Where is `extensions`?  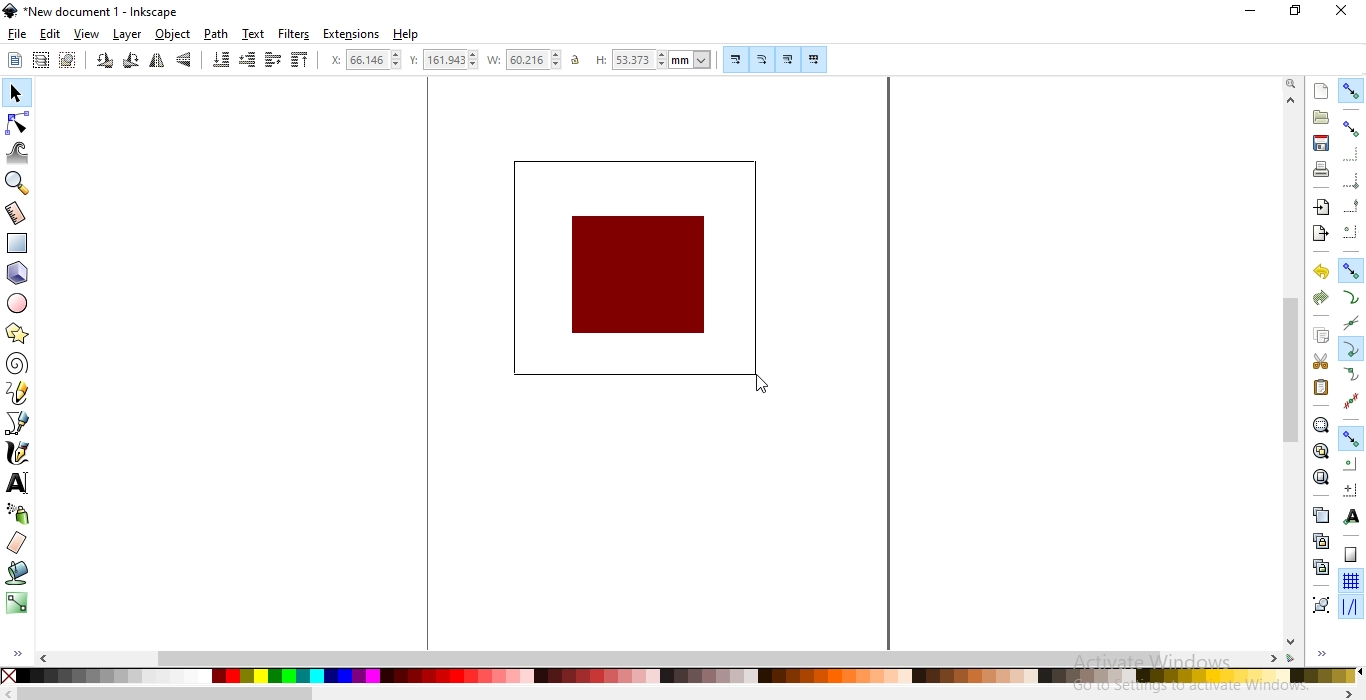 extensions is located at coordinates (354, 33).